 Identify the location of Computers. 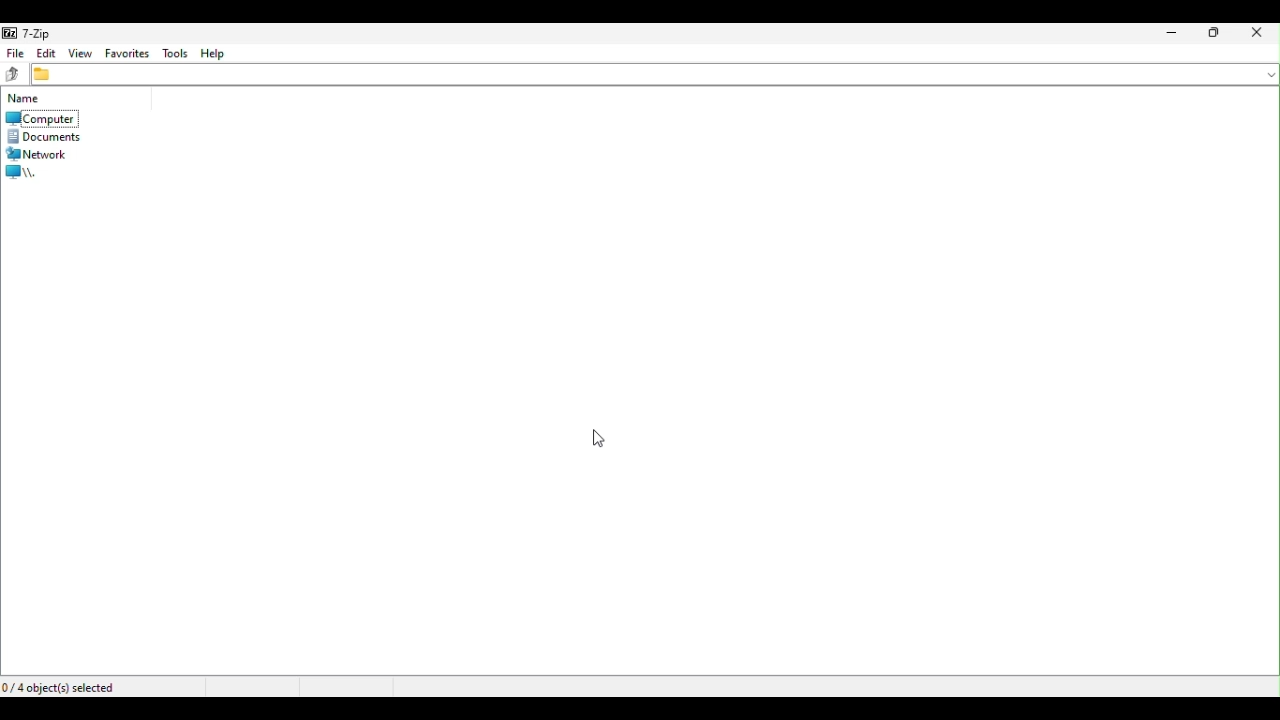
(50, 111).